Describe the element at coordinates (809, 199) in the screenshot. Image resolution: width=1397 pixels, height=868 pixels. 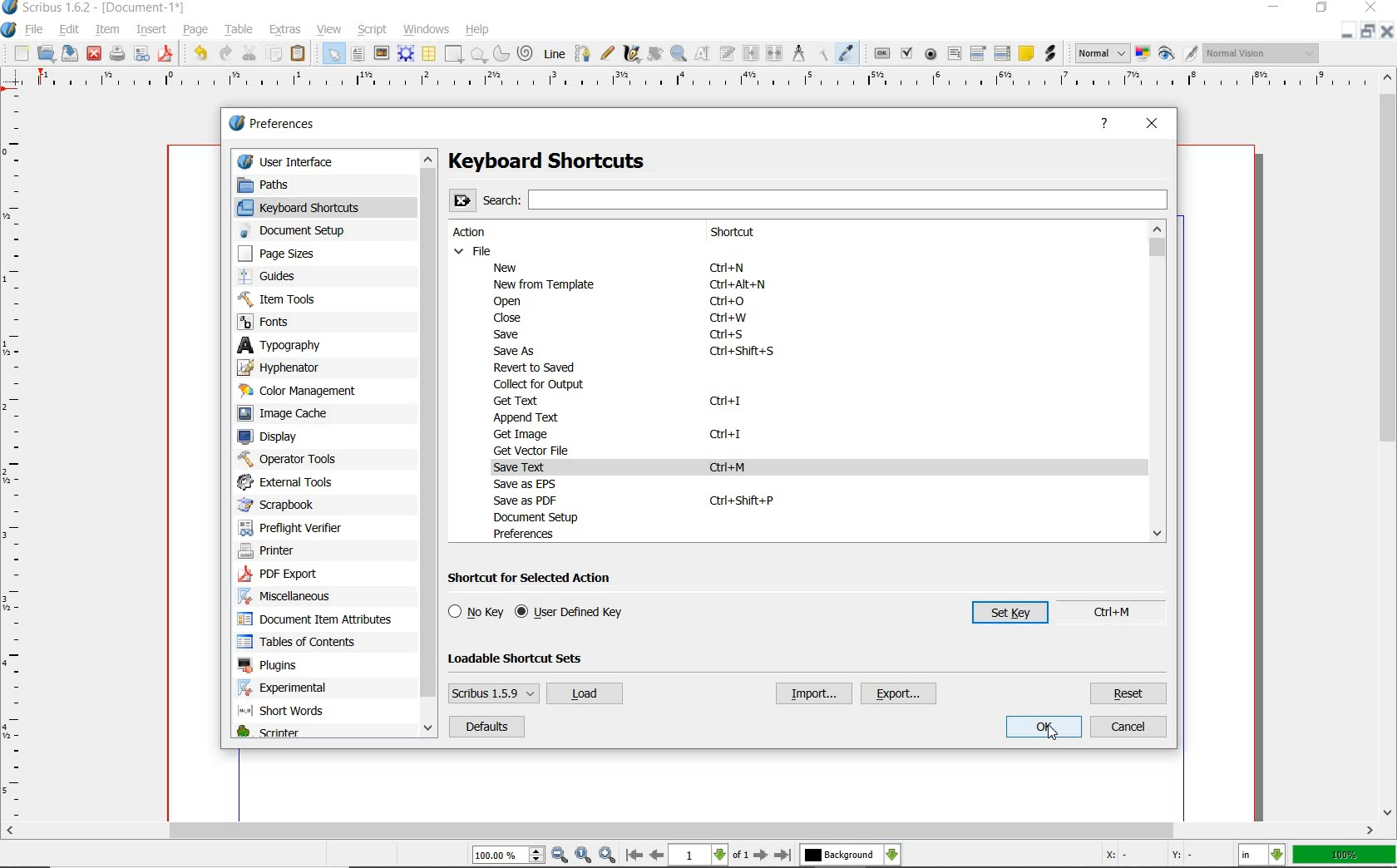
I see `Search` at that location.